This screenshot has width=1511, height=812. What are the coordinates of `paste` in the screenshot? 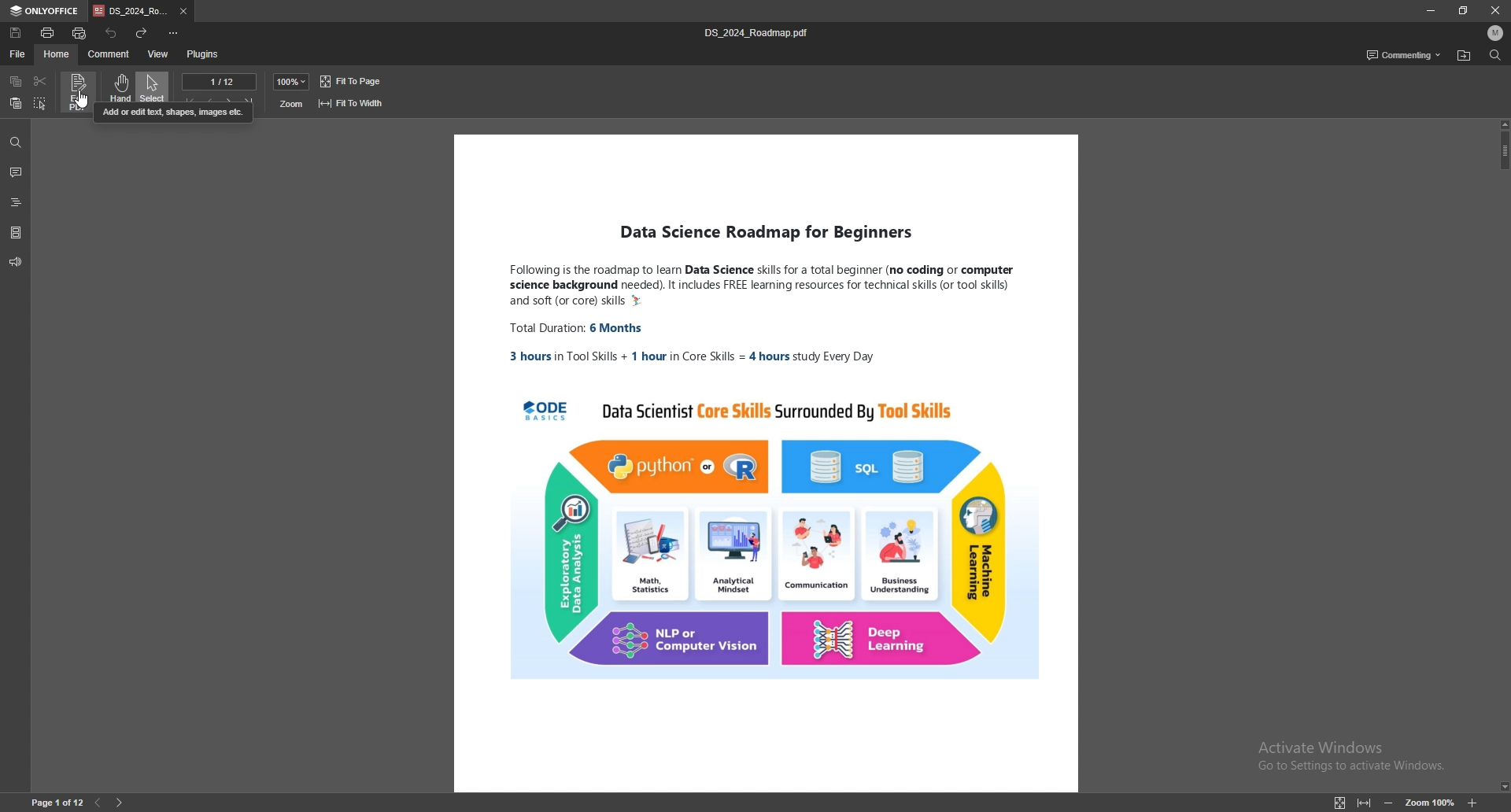 It's located at (16, 104).